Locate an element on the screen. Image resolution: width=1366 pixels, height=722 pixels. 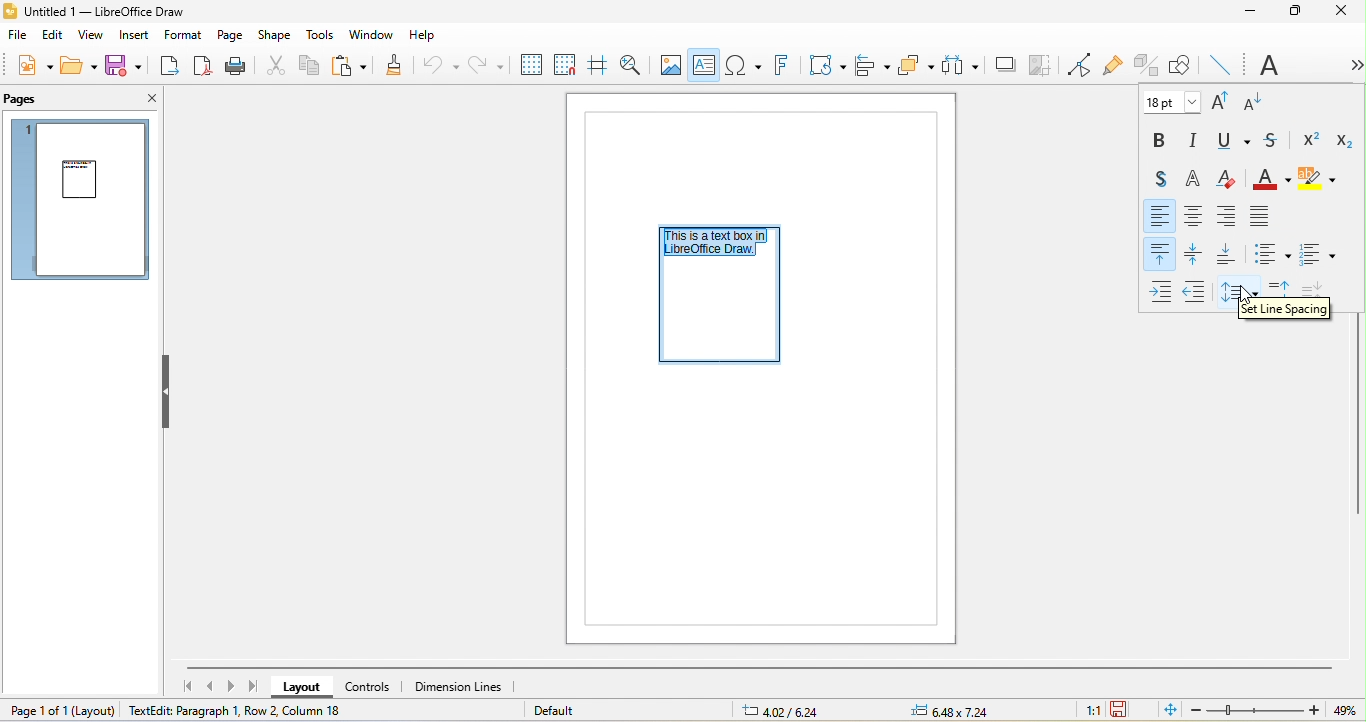
page 1 of 1 is located at coordinates (60, 712).